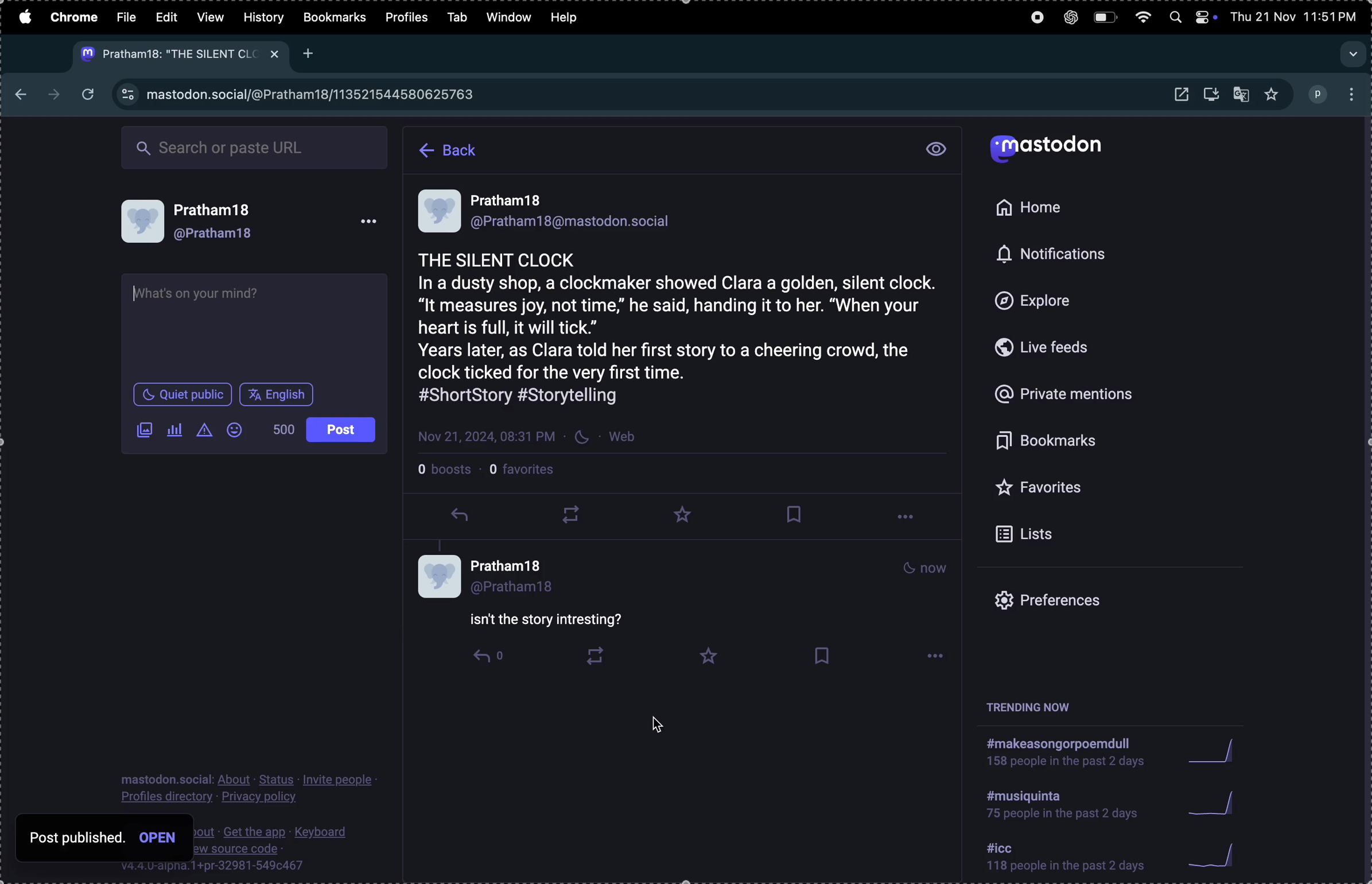  What do you see at coordinates (1296, 15) in the screenshot?
I see `date and time` at bounding box center [1296, 15].